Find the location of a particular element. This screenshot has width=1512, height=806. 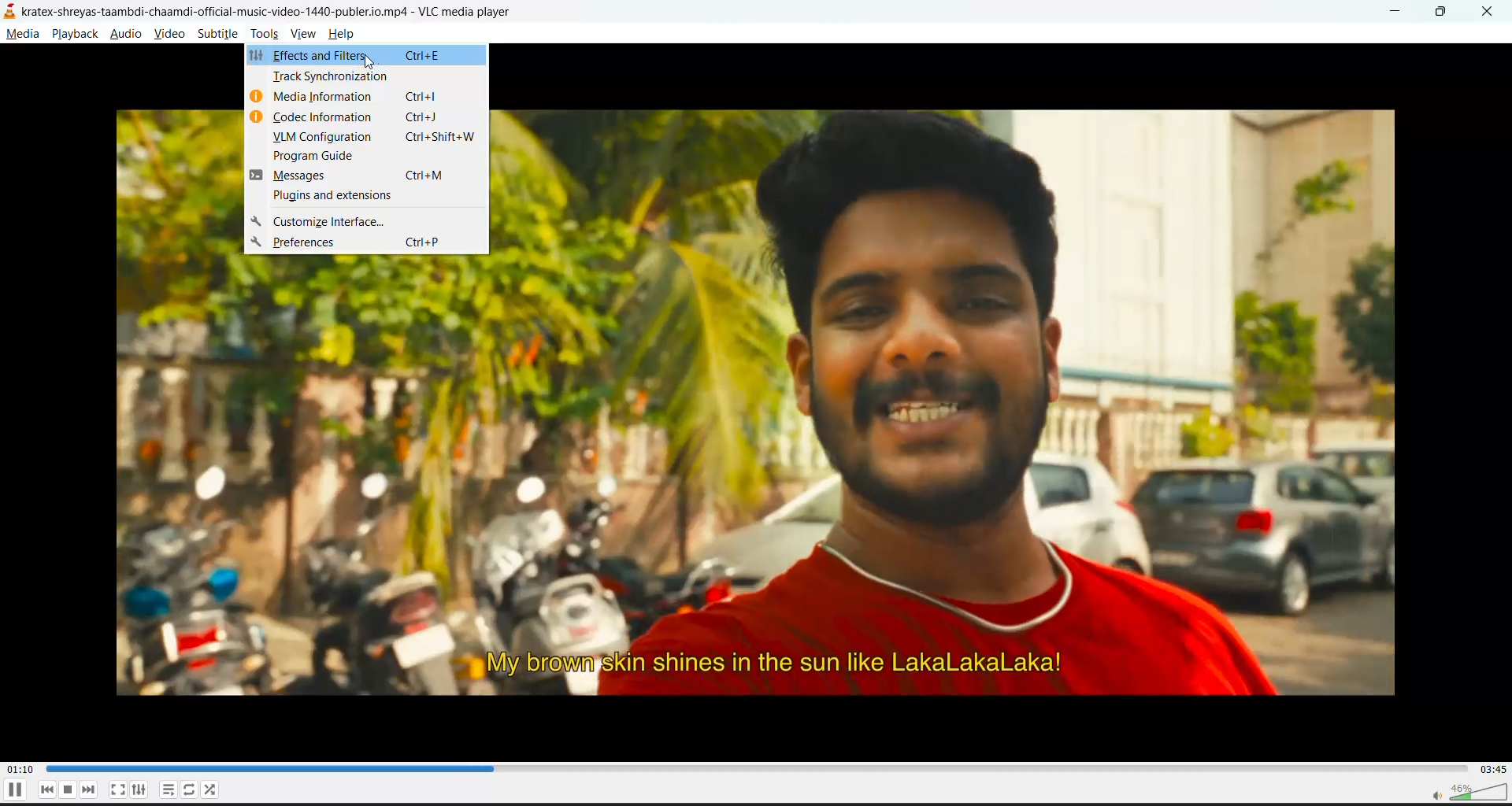

minimize is located at coordinates (1397, 11).